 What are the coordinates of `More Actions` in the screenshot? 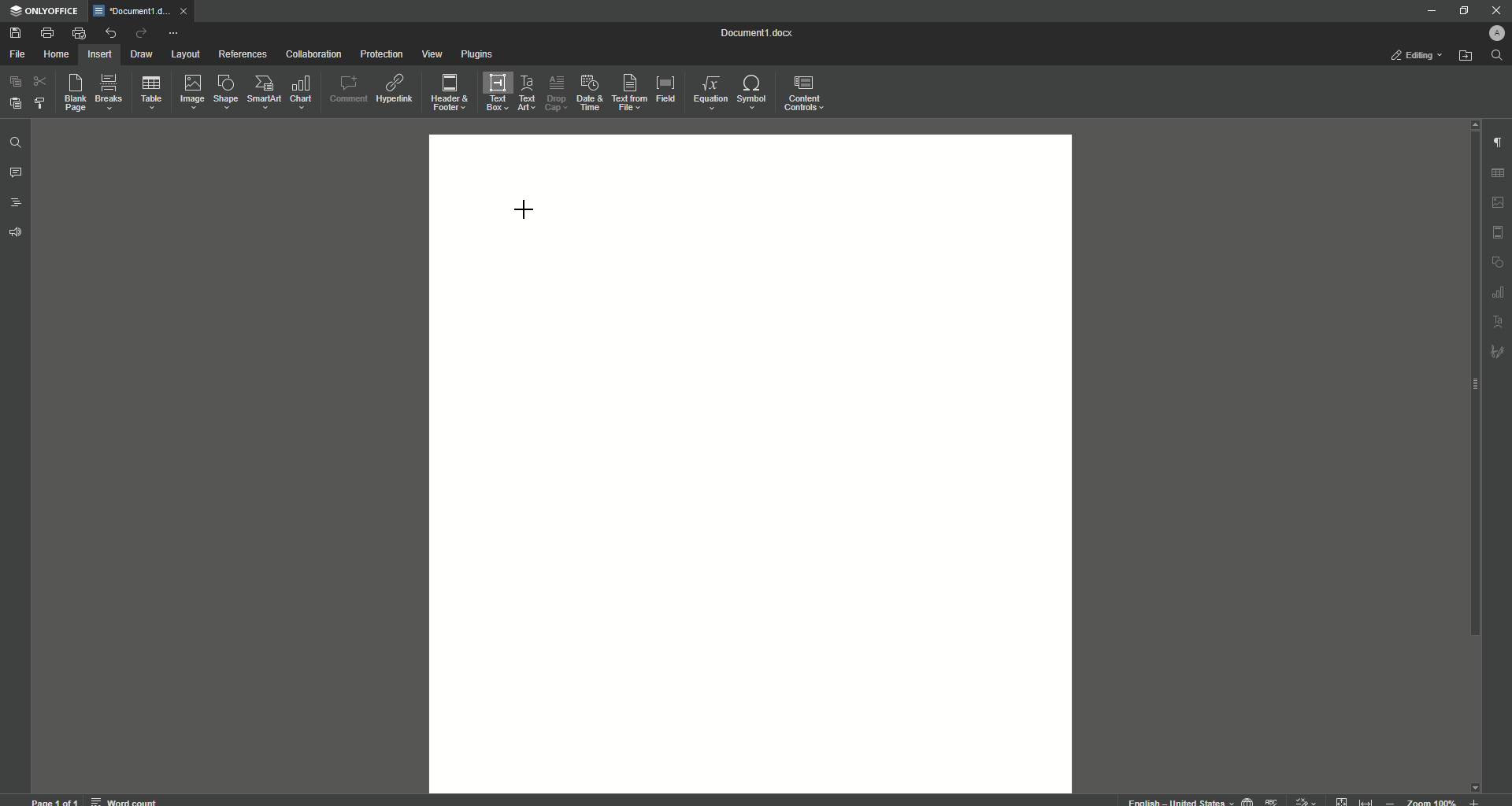 It's located at (172, 35).